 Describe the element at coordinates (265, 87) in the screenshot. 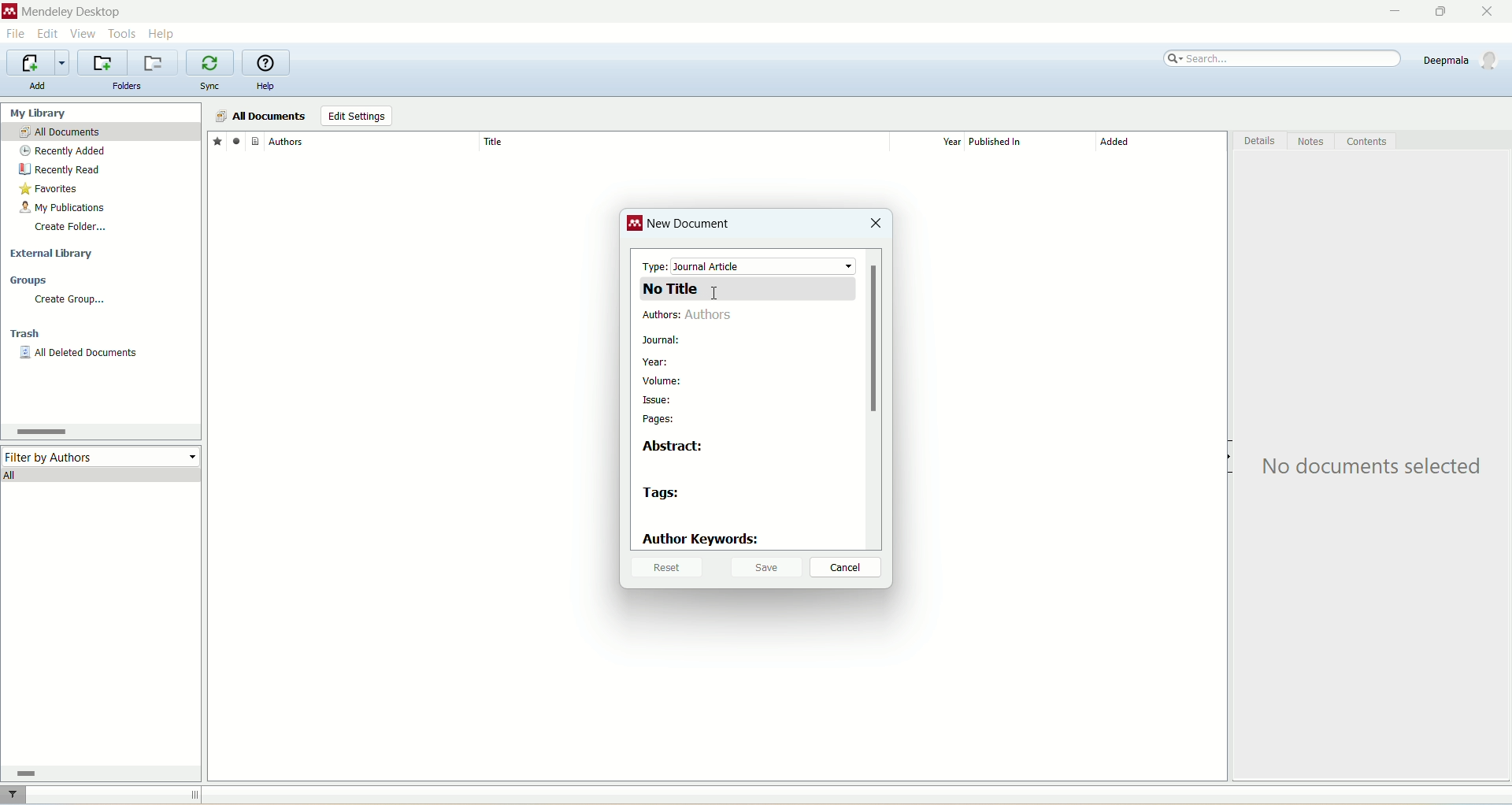

I see `help` at that location.